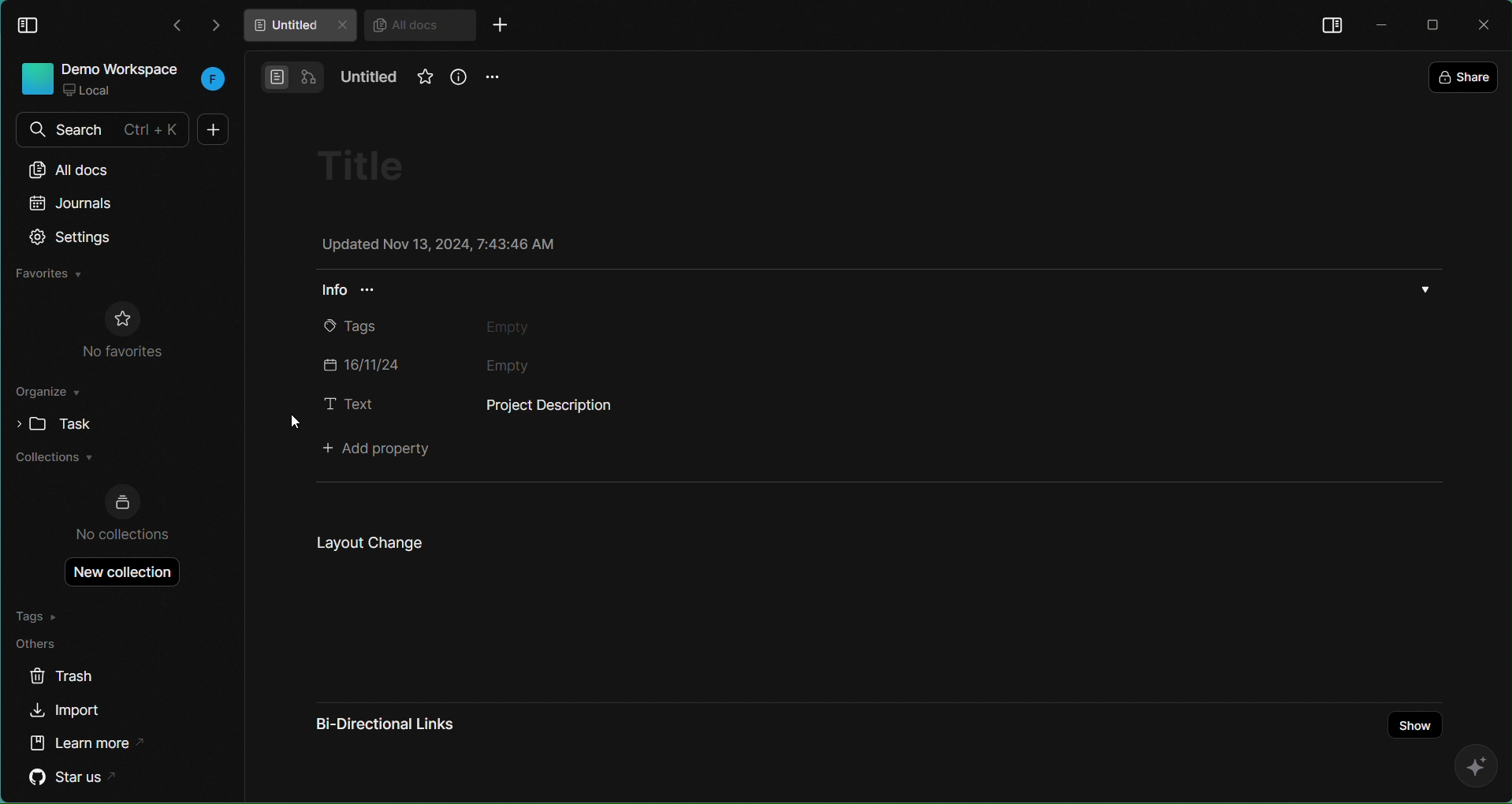 This screenshot has height=804, width=1512. I want to click on Options, so click(1427, 288).